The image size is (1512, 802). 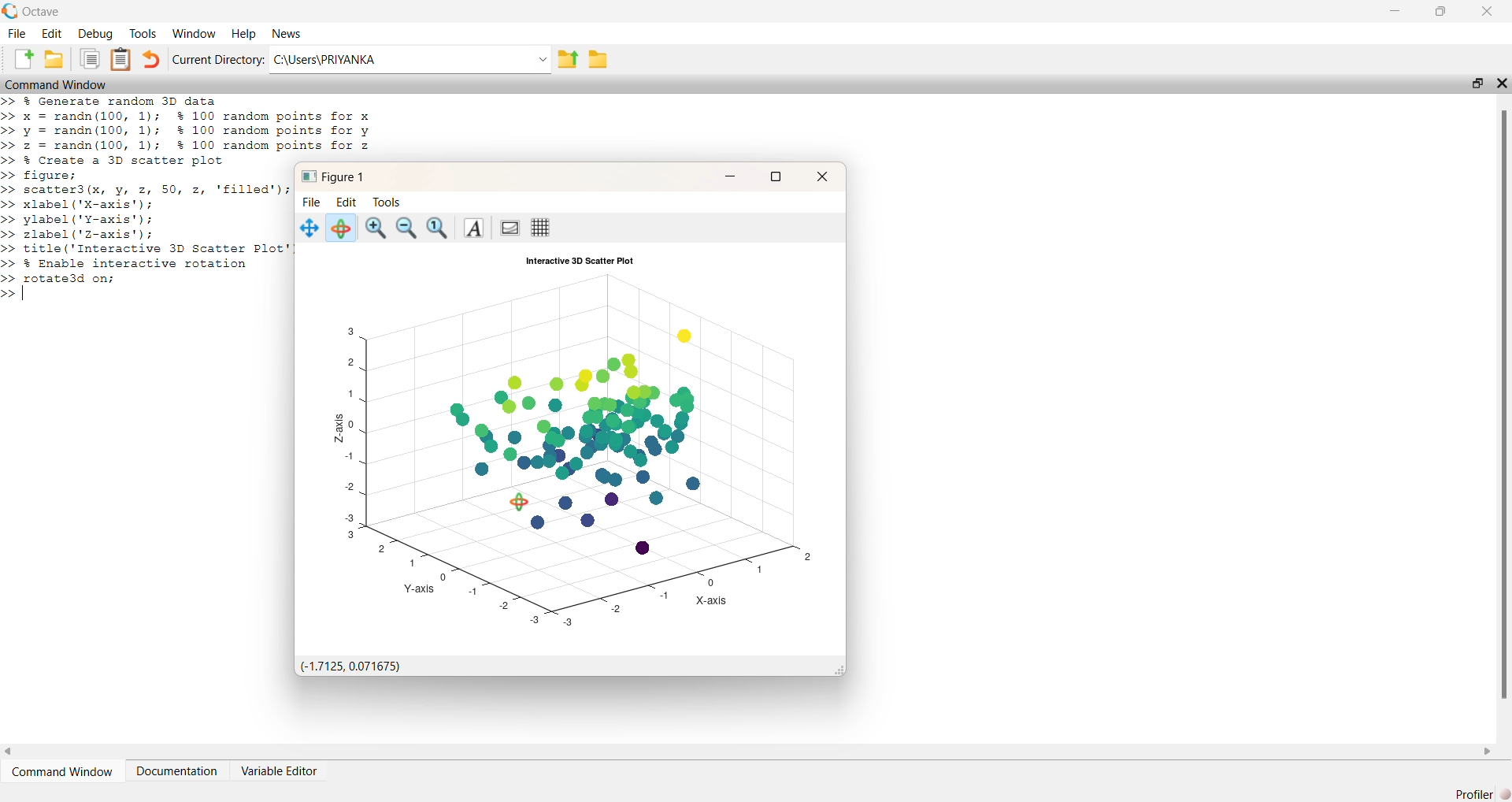 I want to click on Figure 1, so click(x=333, y=177).